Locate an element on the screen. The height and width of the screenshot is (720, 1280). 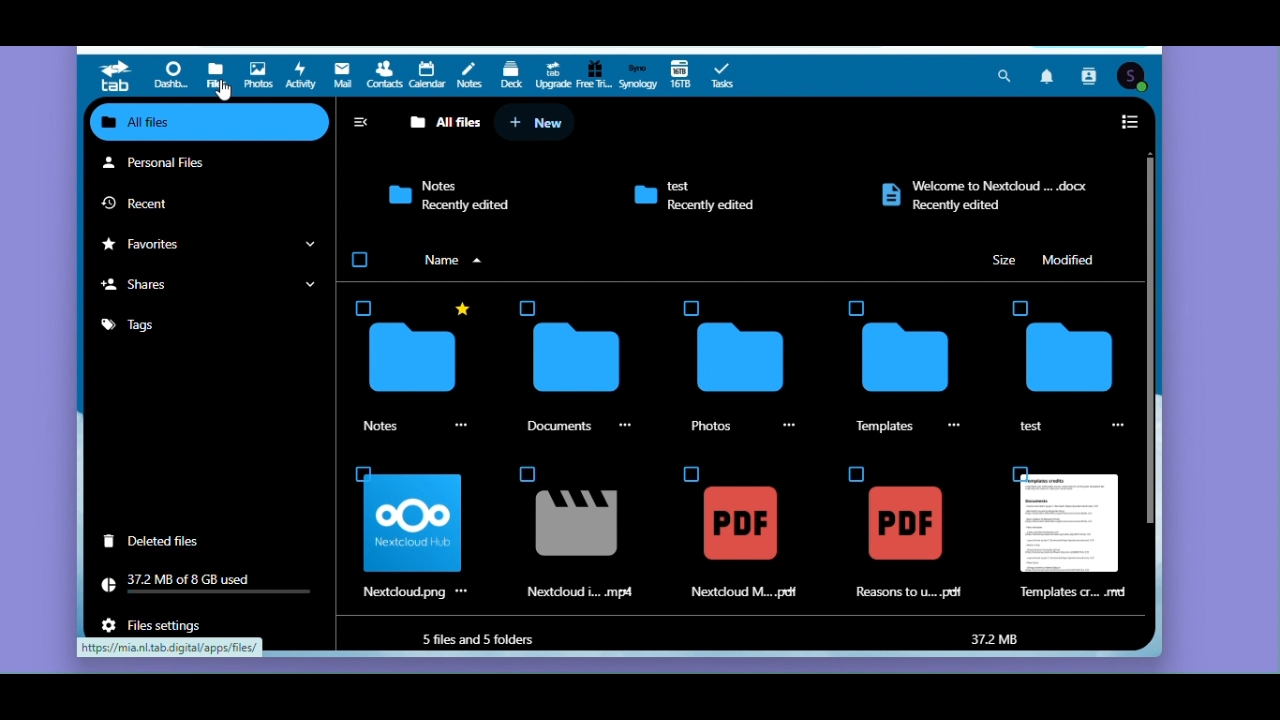
To list view is located at coordinates (1122, 122).